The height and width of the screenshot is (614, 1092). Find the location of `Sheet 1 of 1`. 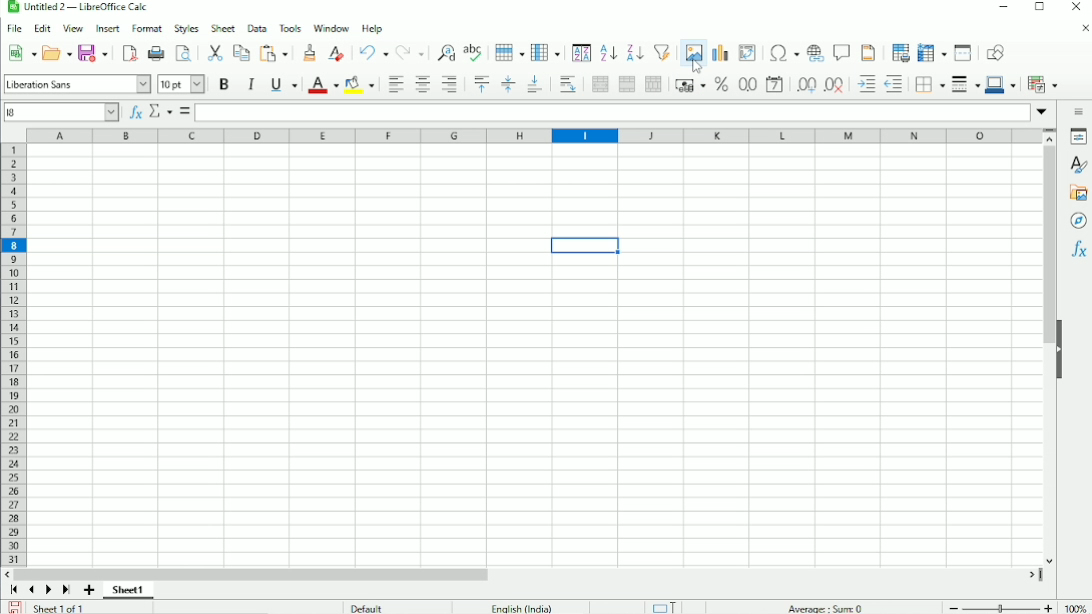

Sheet 1 of 1 is located at coordinates (60, 608).